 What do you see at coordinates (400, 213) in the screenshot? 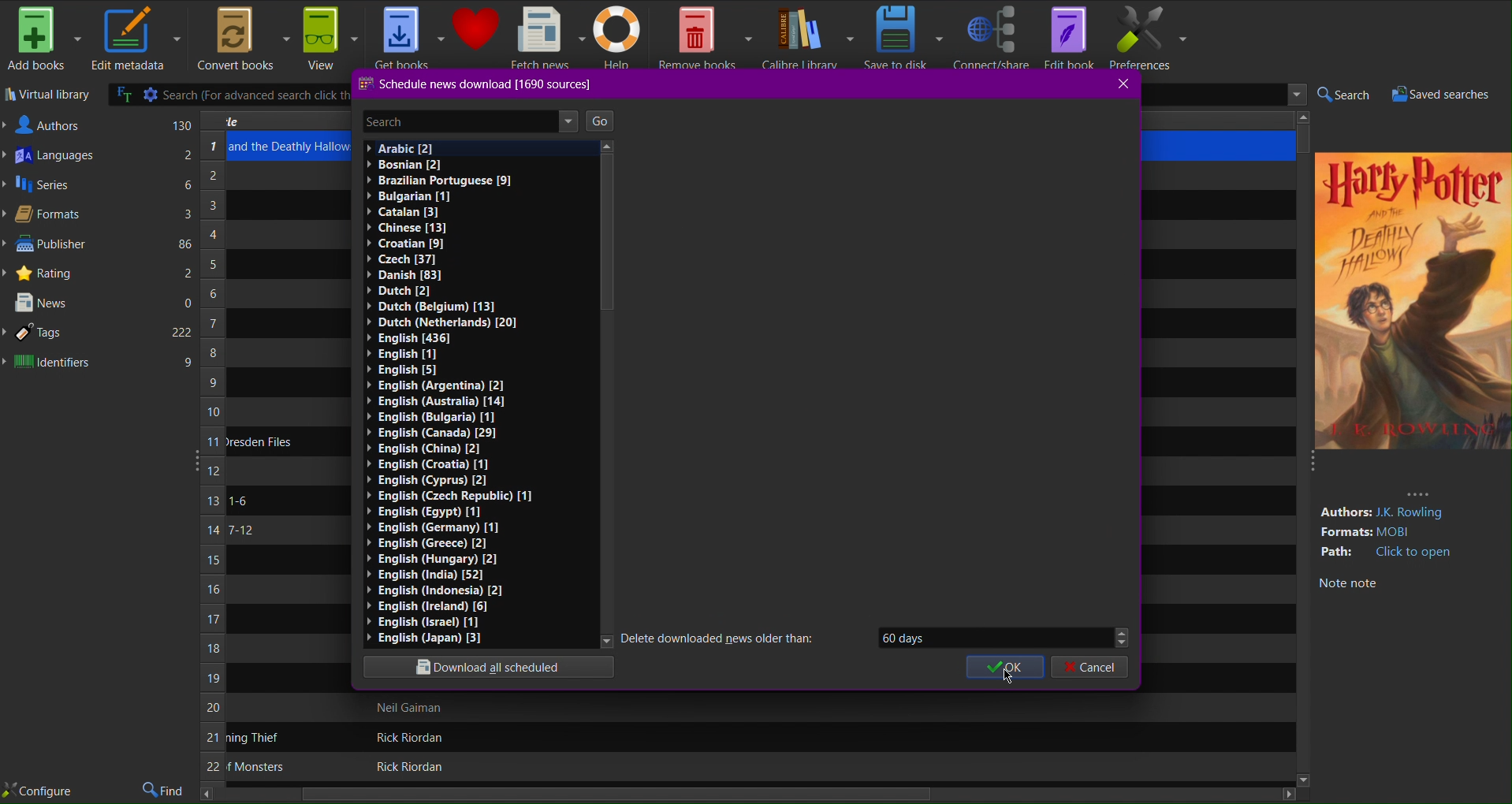
I see `Catalan [3]` at bounding box center [400, 213].